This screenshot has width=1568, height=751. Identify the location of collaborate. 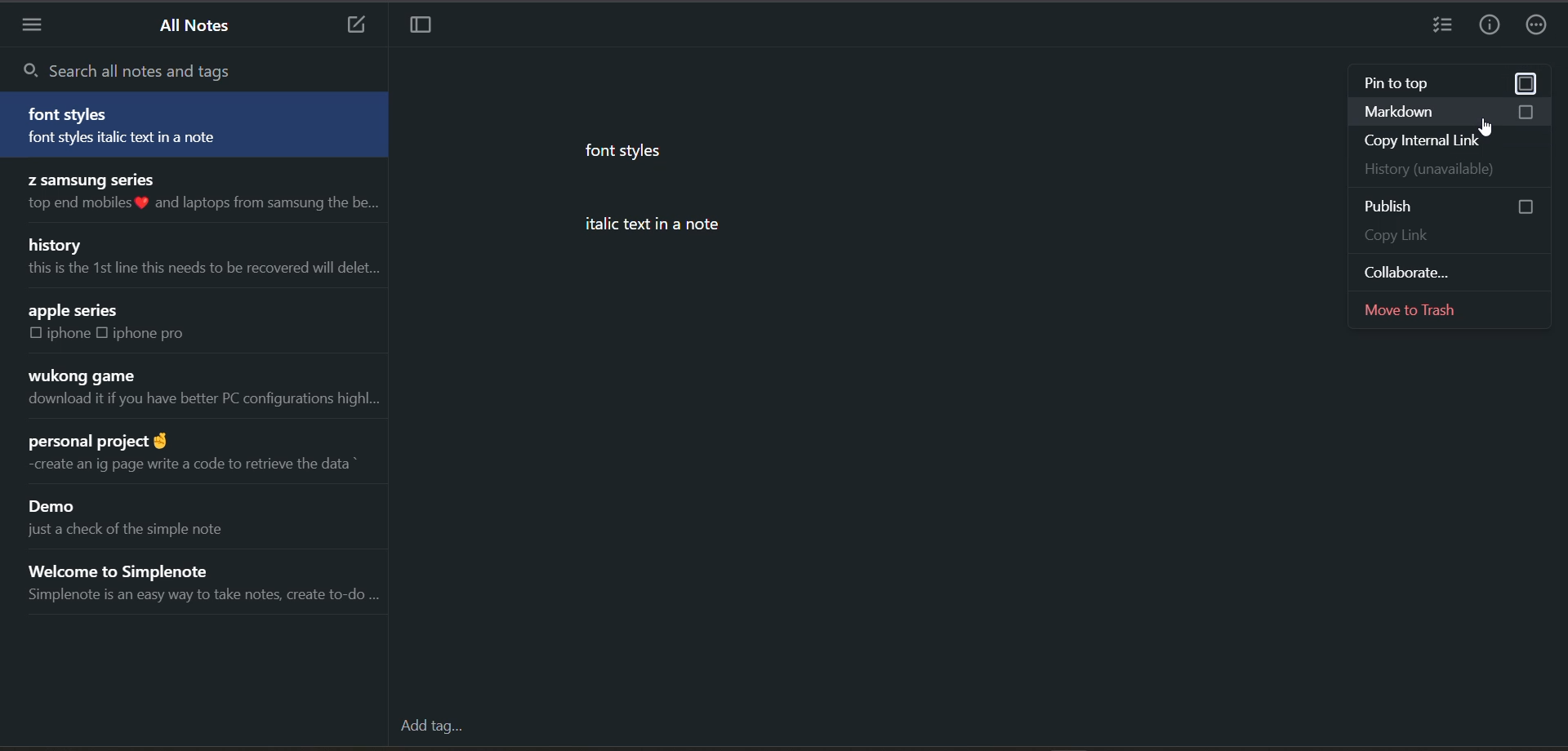
(1453, 270).